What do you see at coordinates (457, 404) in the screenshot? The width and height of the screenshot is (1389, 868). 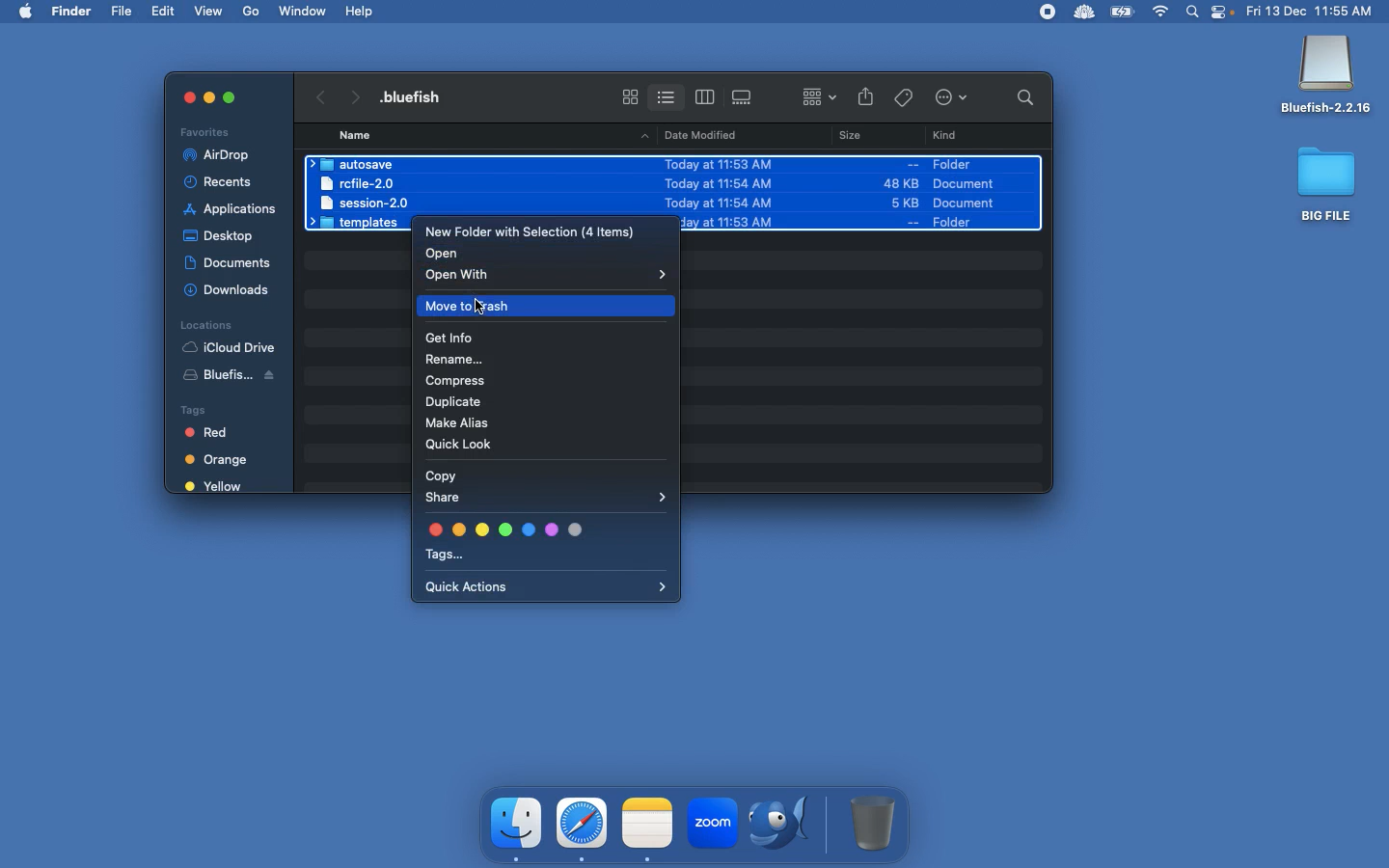 I see `Duplicate` at bounding box center [457, 404].